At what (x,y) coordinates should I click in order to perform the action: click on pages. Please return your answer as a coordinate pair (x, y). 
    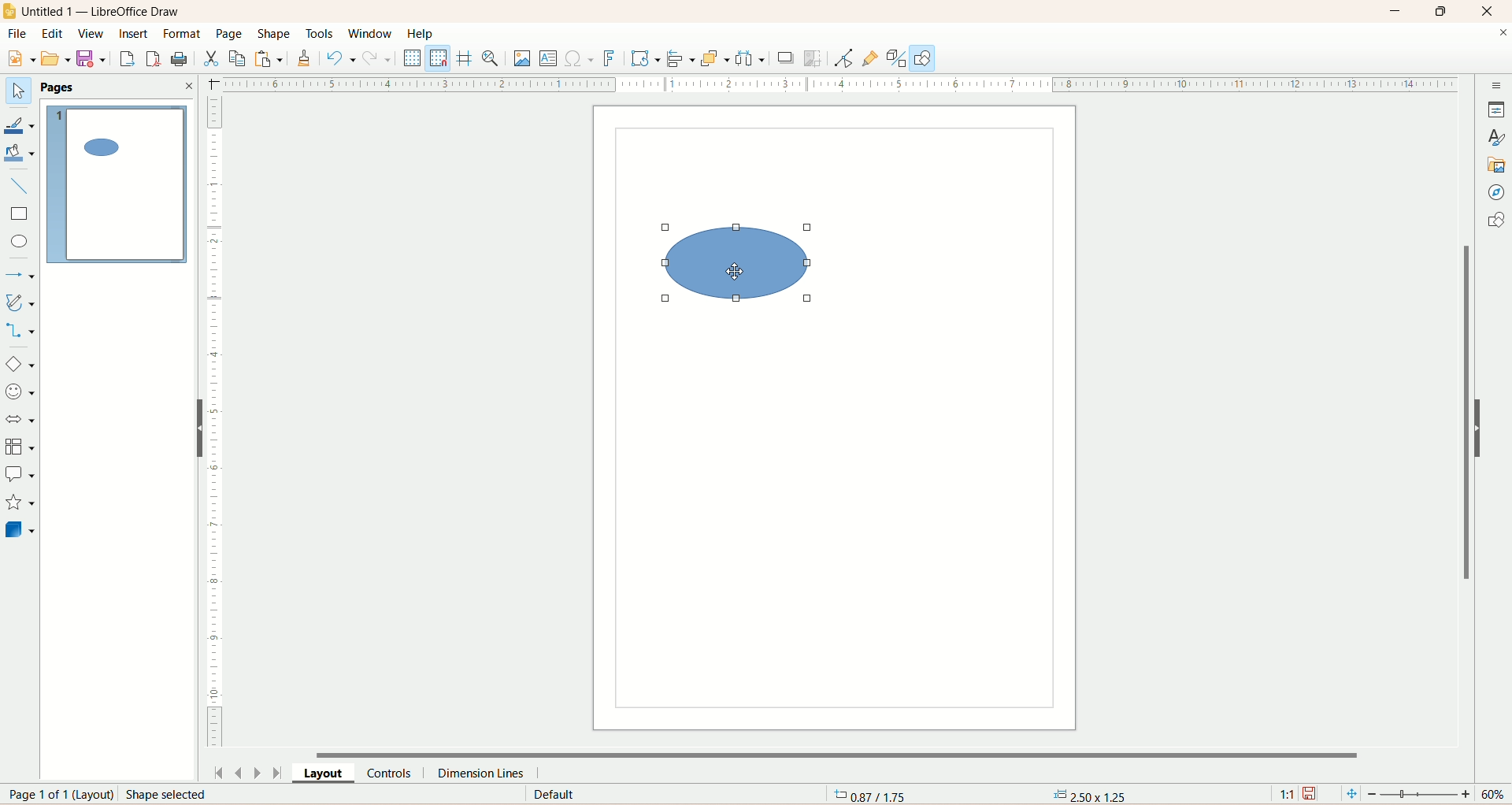
    Looking at the image, I should click on (61, 87).